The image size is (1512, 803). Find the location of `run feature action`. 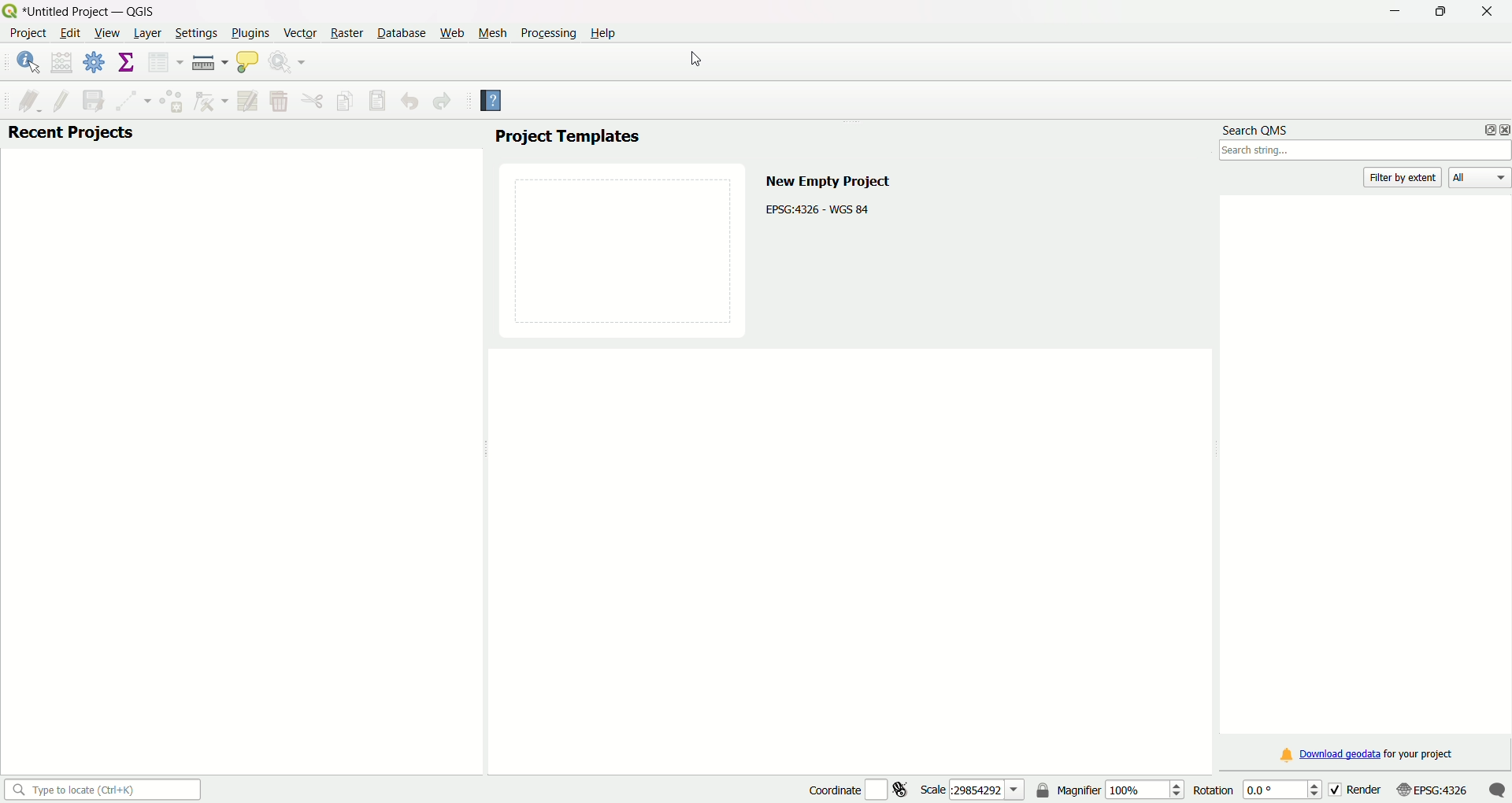

run feature action is located at coordinates (290, 64).